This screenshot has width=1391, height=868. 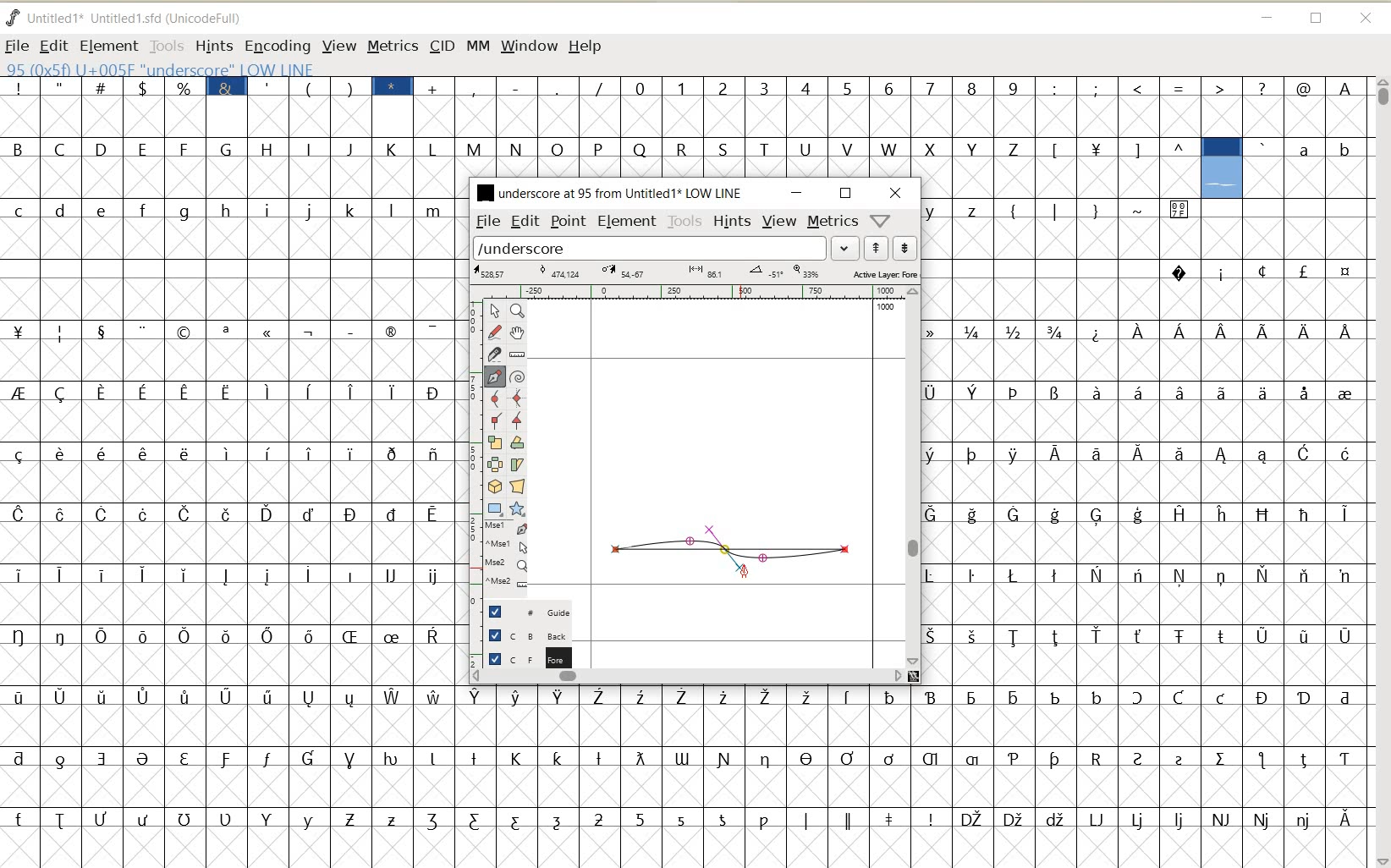 I want to click on add a curve point, so click(x=494, y=398).